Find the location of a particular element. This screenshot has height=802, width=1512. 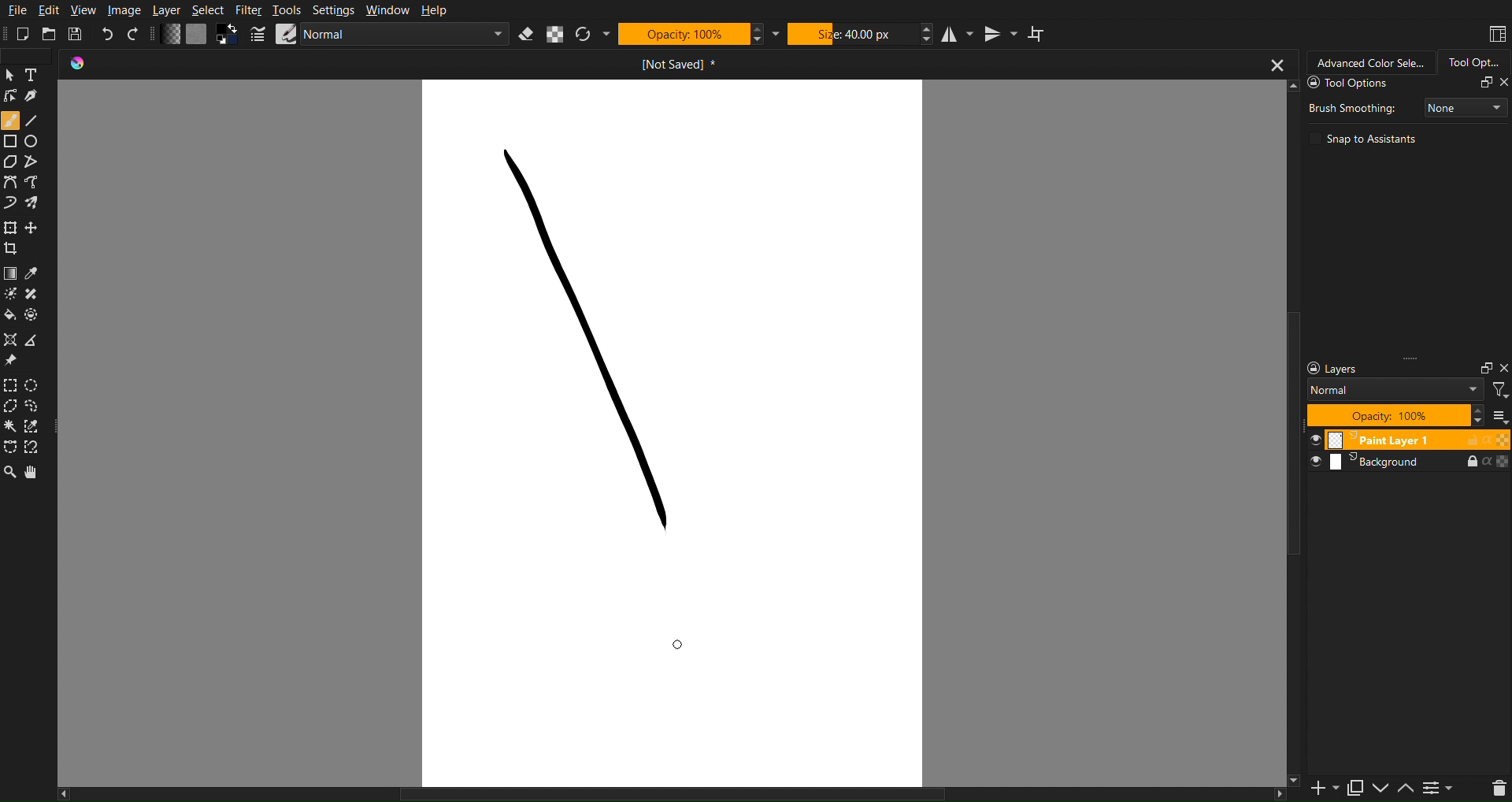

Window is located at coordinates (387, 9).